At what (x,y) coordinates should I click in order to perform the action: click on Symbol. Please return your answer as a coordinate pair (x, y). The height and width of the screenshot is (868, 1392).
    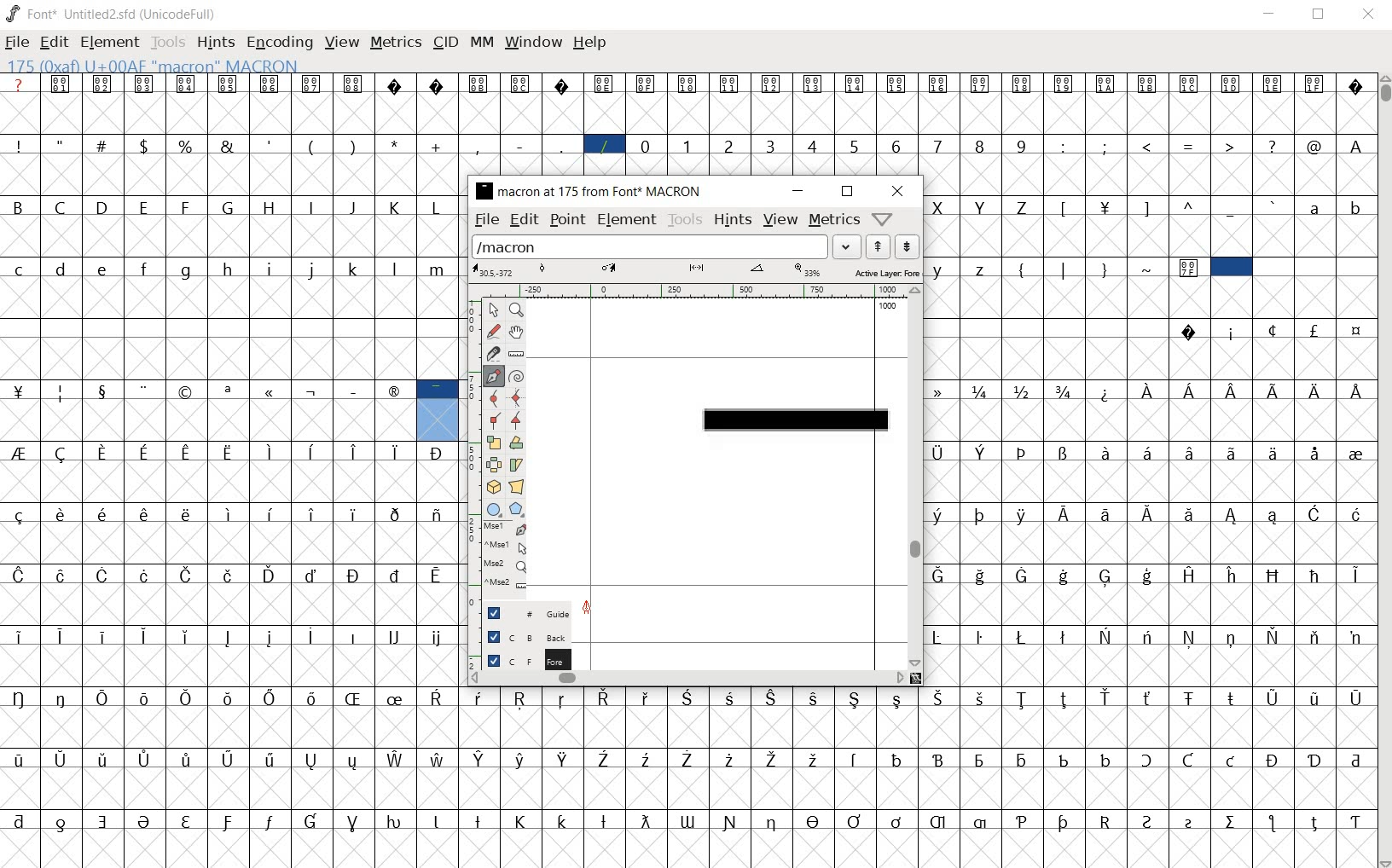
    Looking at the image, I should click on (104, 453).